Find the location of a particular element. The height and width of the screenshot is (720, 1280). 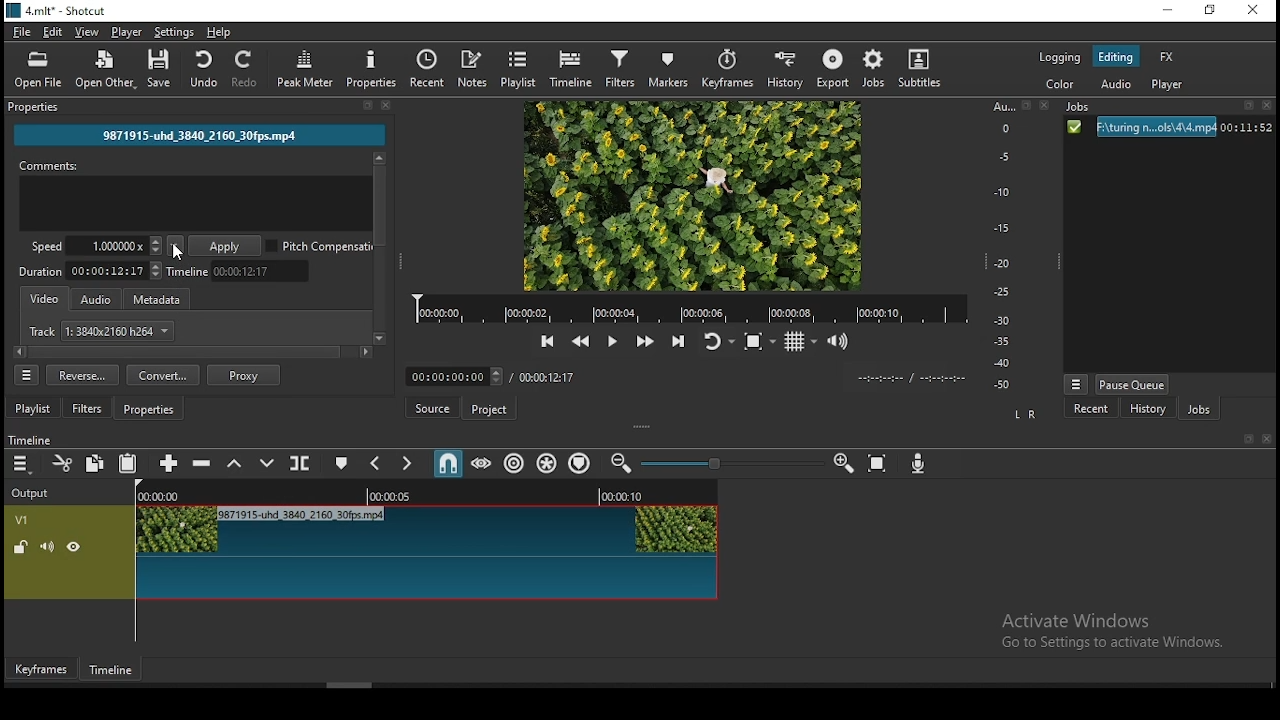

properties menu is located at coordinates (27, 375).